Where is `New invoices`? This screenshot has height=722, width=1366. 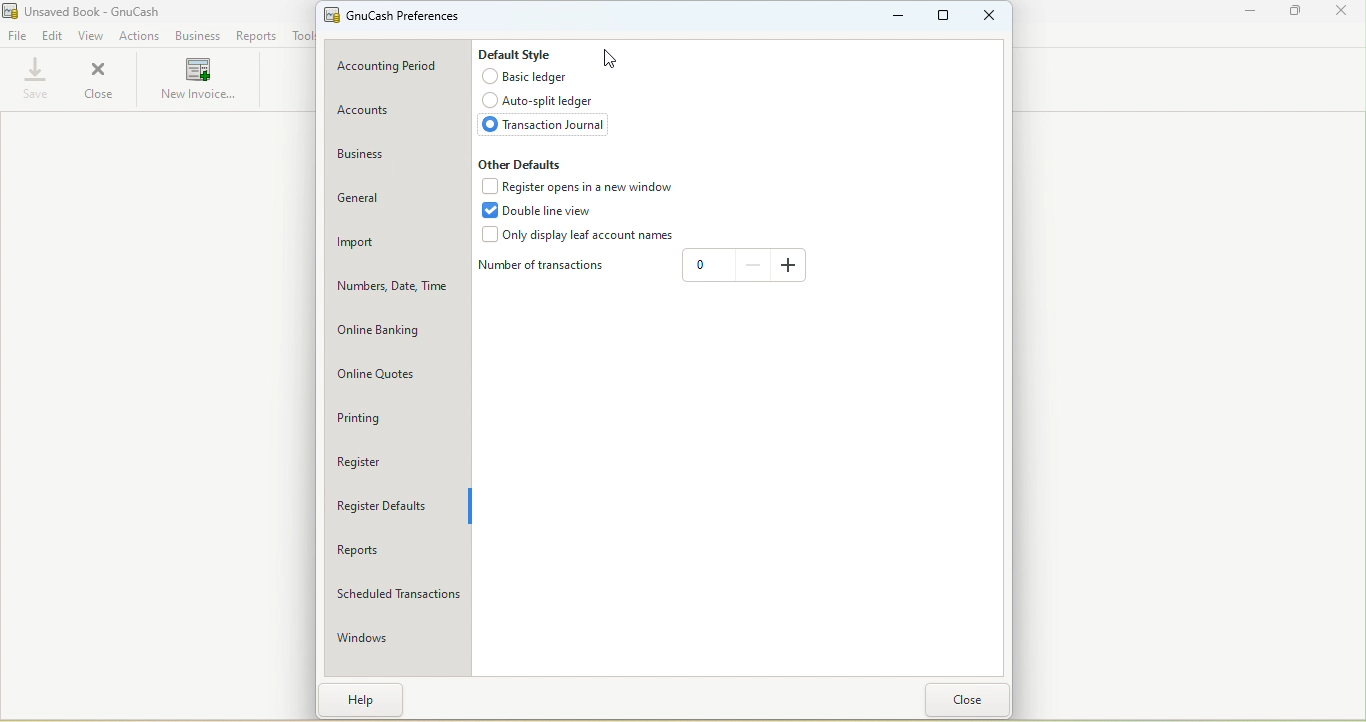
New invoices is located at coordinates (194, 82).